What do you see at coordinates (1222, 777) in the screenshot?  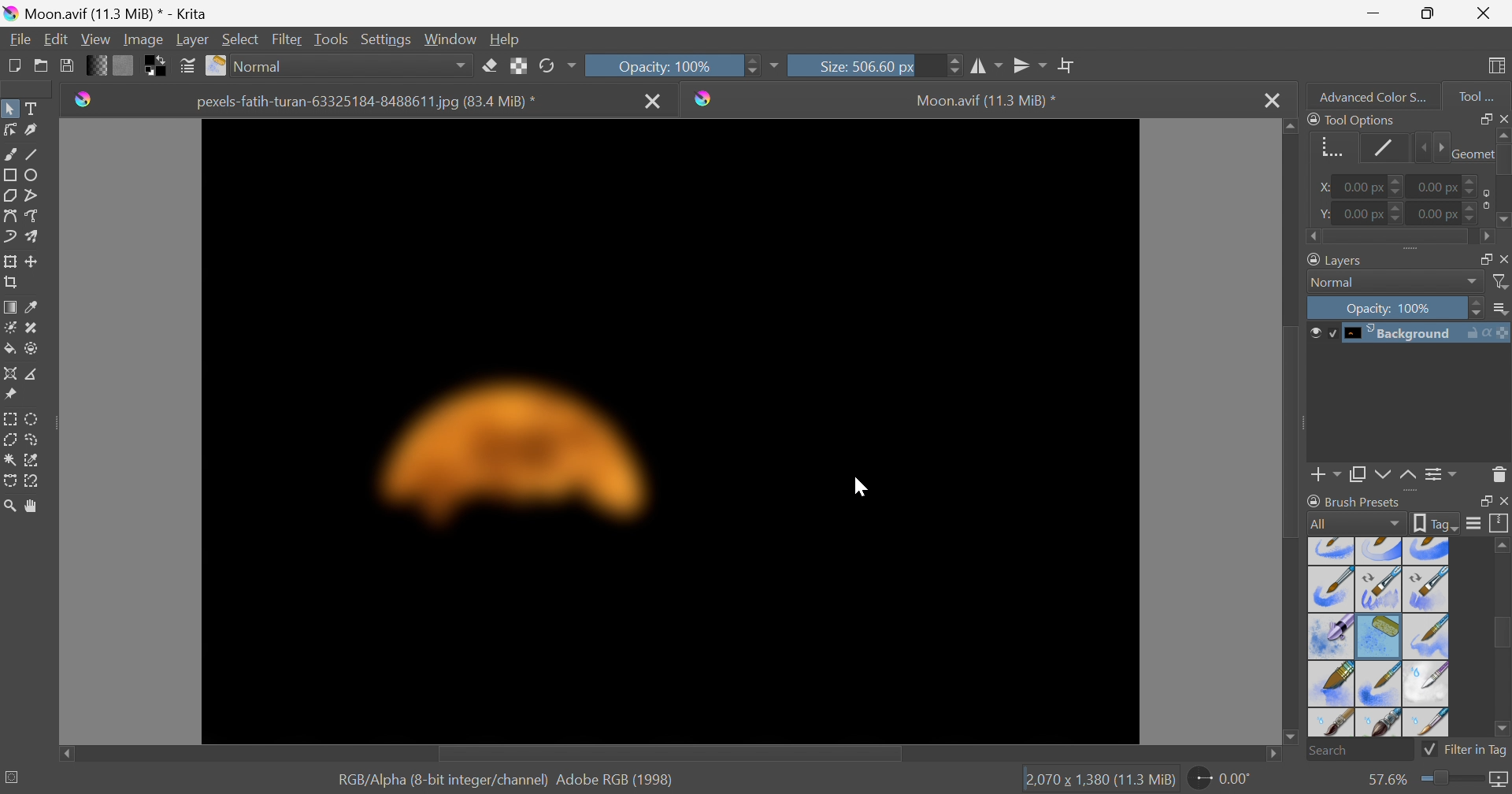 I see `0.00°` at bounding box center [1222, 777].